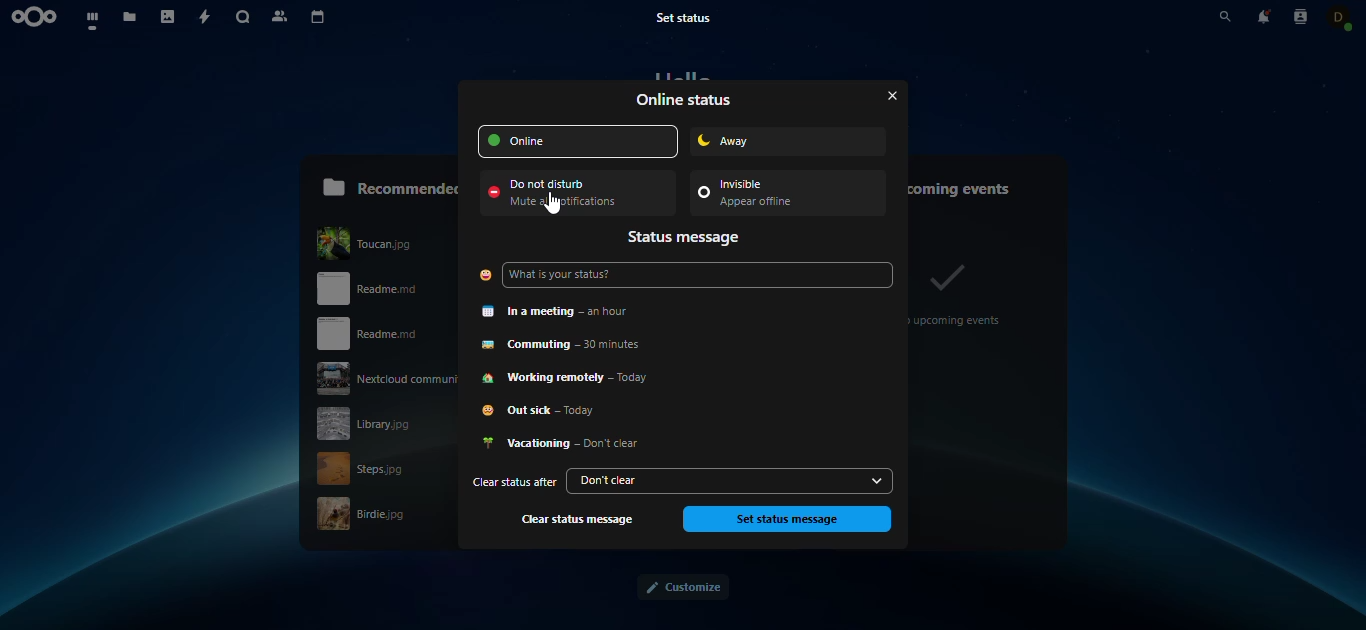  What do you see at coordinates (374, 468) in the screenshot?
I see `strps.jpg` at bounding box center [374, 468].